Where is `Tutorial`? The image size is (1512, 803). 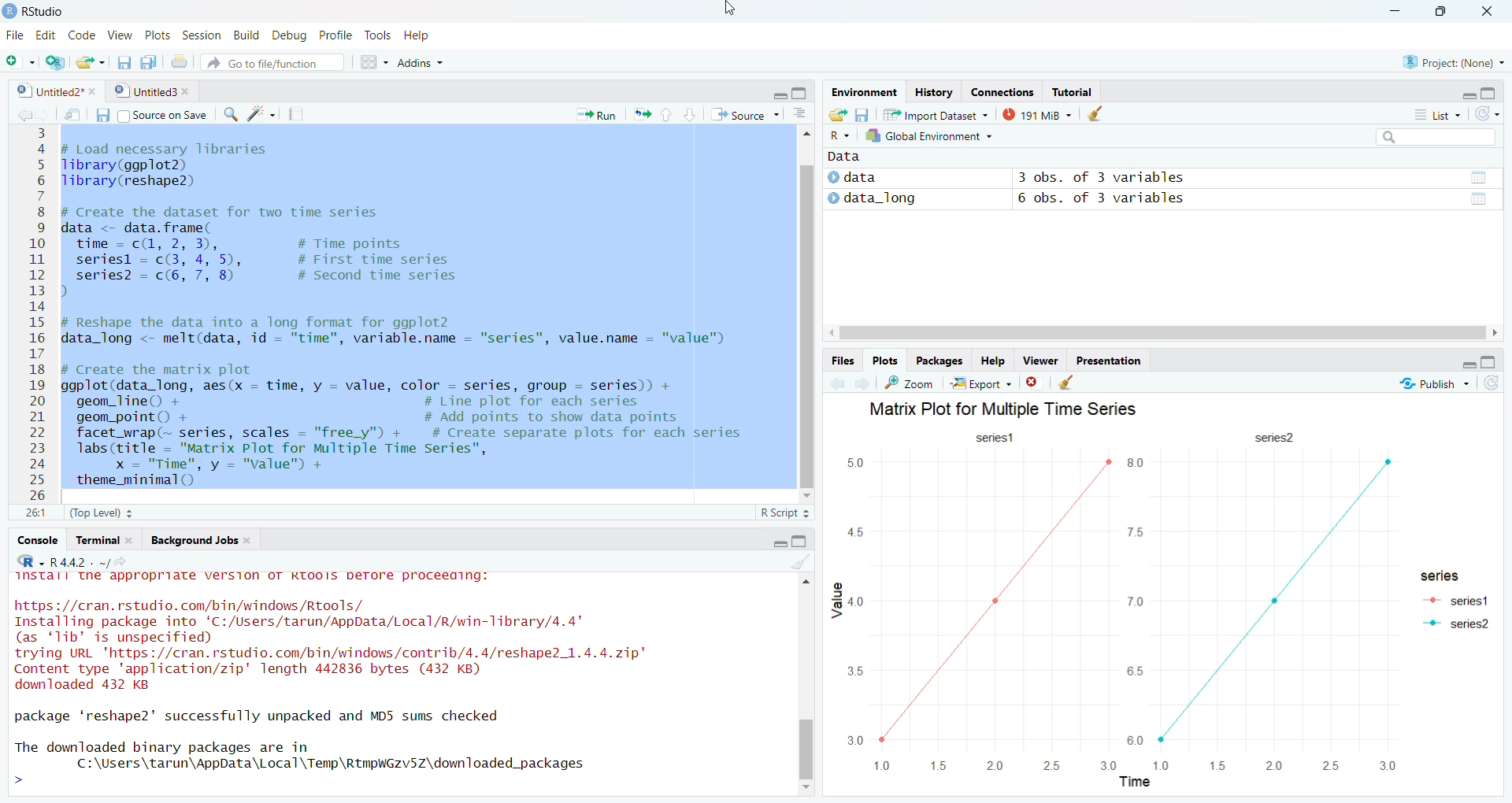 Tutorial is located at coordinates (1073, 92).